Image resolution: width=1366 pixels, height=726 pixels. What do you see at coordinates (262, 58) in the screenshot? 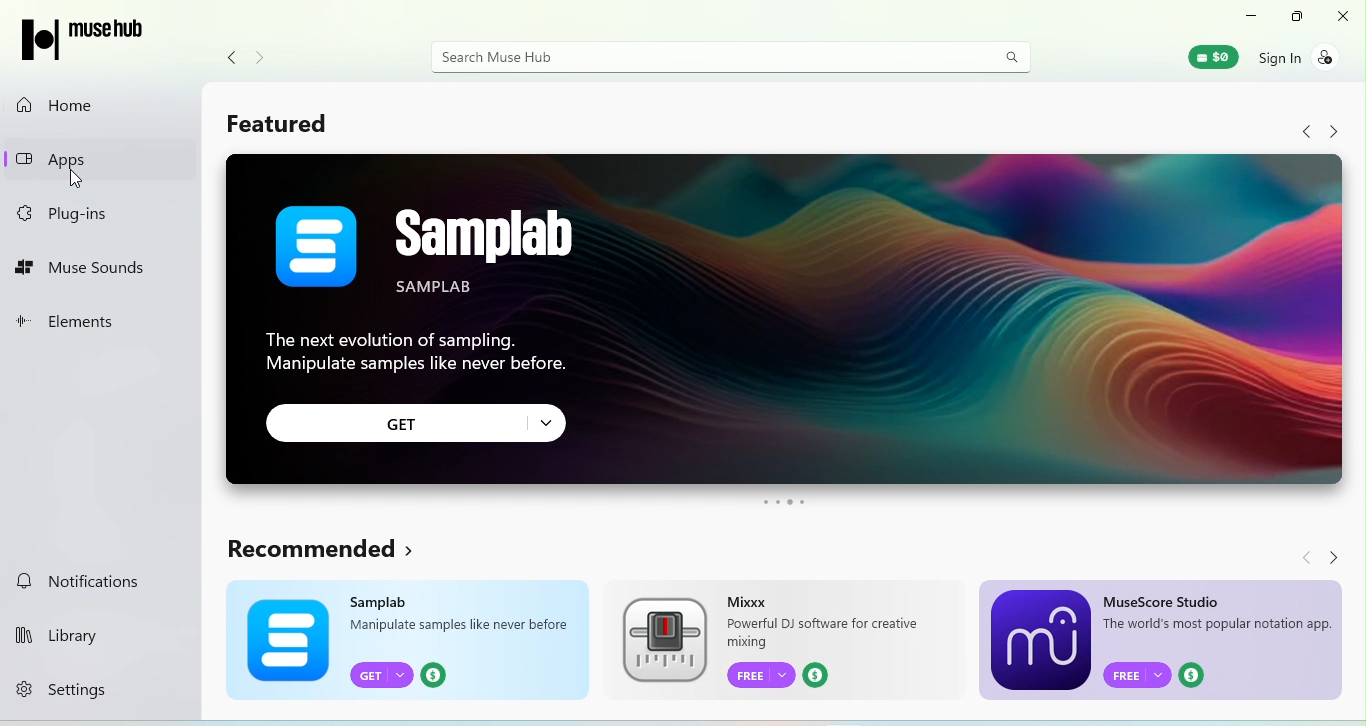
I see `Navigate forward` at bounding box center [262, 58].